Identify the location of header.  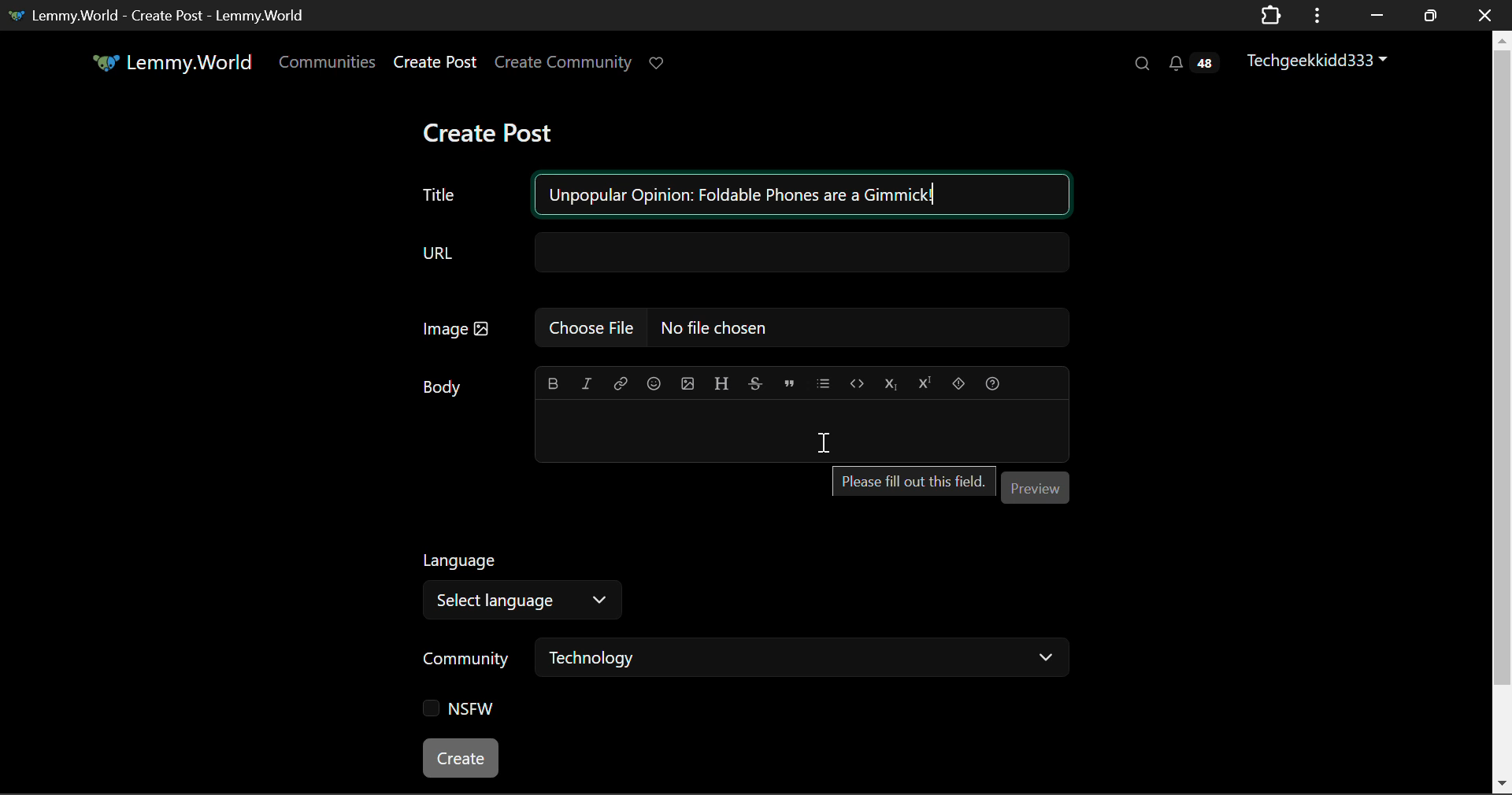
(721, 381).